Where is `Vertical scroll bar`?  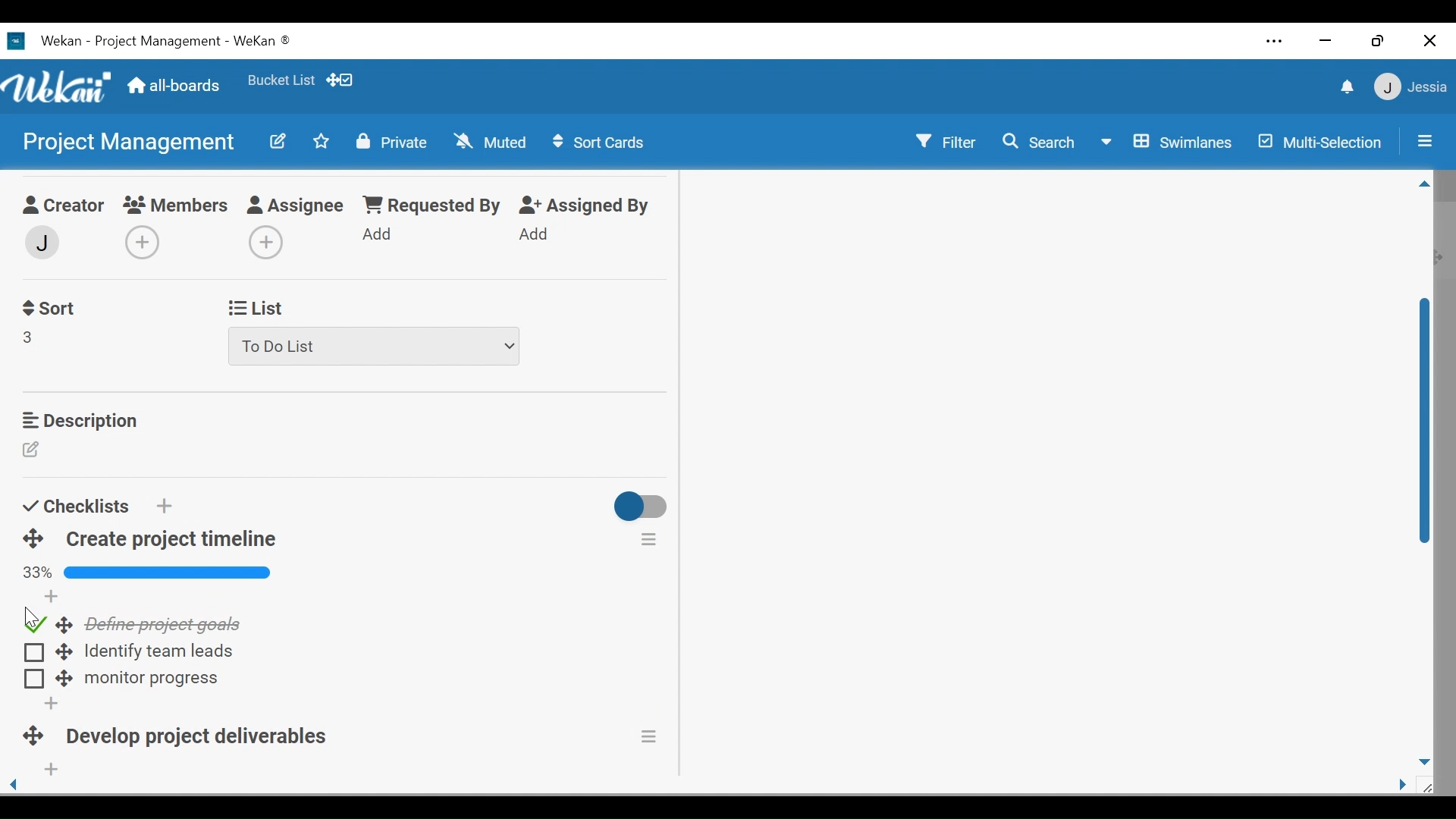
Vertical scroll bar is located at coordinates (1426, 428).